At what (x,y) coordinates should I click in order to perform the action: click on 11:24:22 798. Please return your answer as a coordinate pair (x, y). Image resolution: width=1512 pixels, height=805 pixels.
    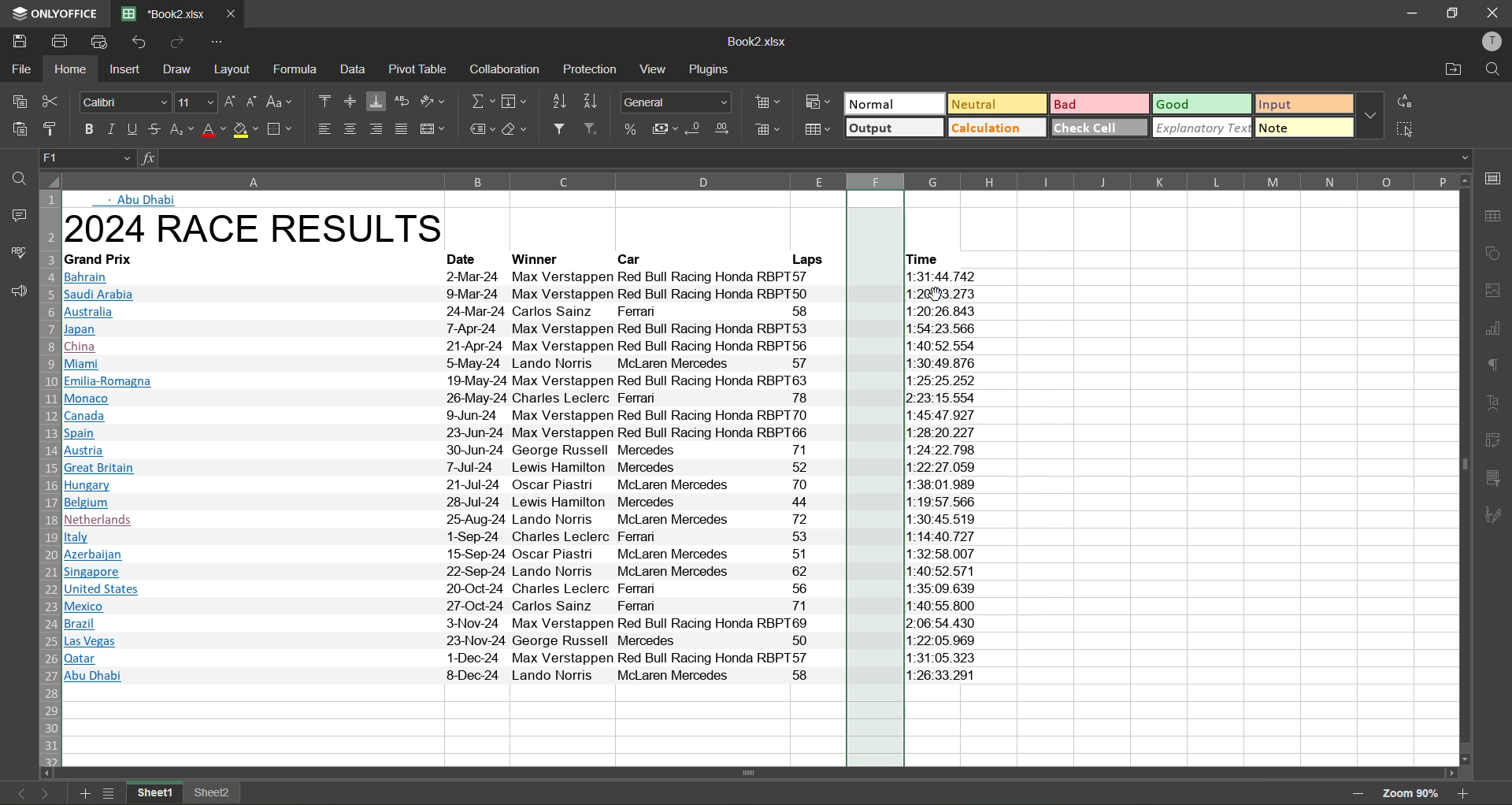
    Looking at the image, I should click on (947, 450).